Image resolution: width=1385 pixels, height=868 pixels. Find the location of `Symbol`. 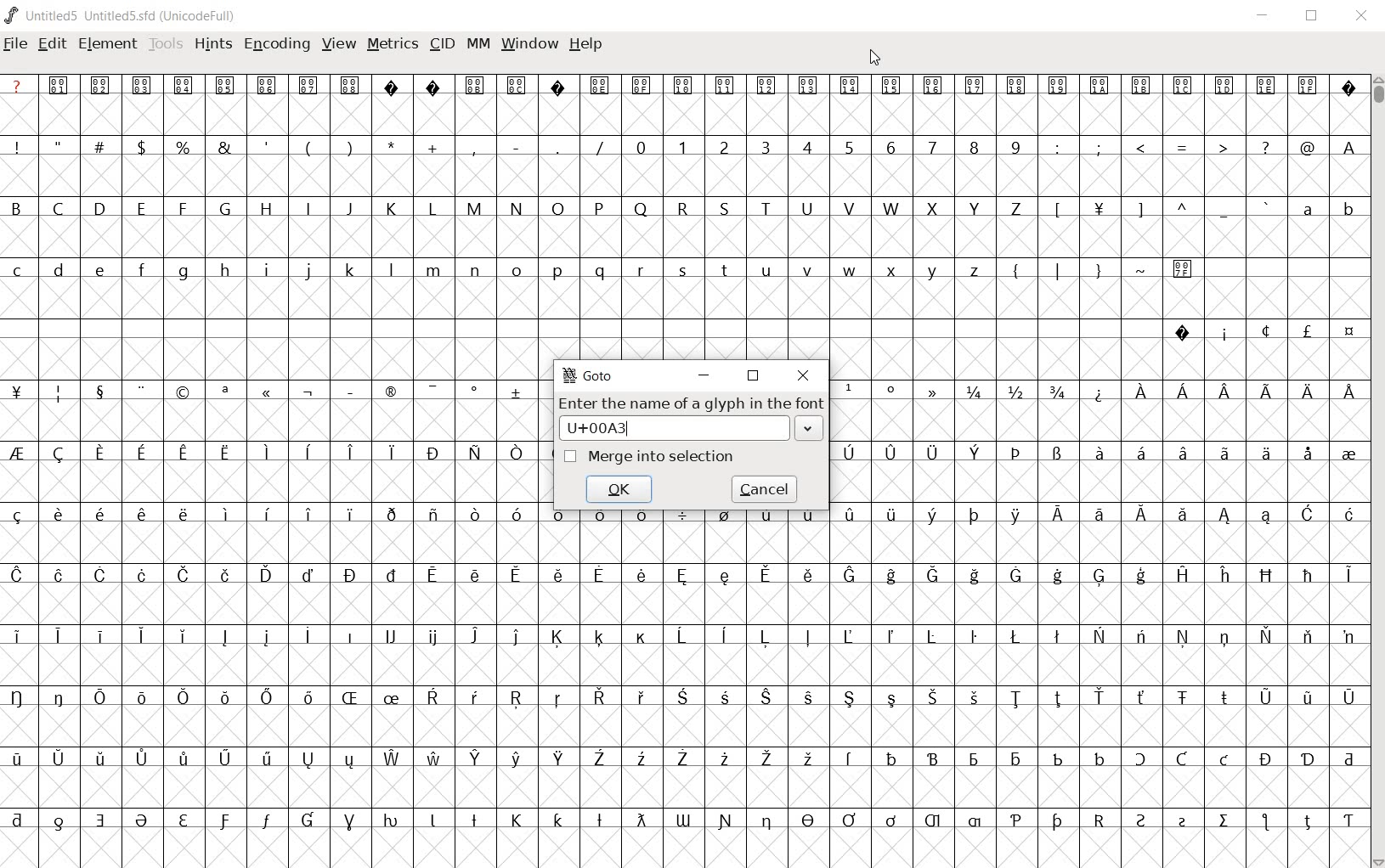

Symbol is located at coordinates (389, 700).